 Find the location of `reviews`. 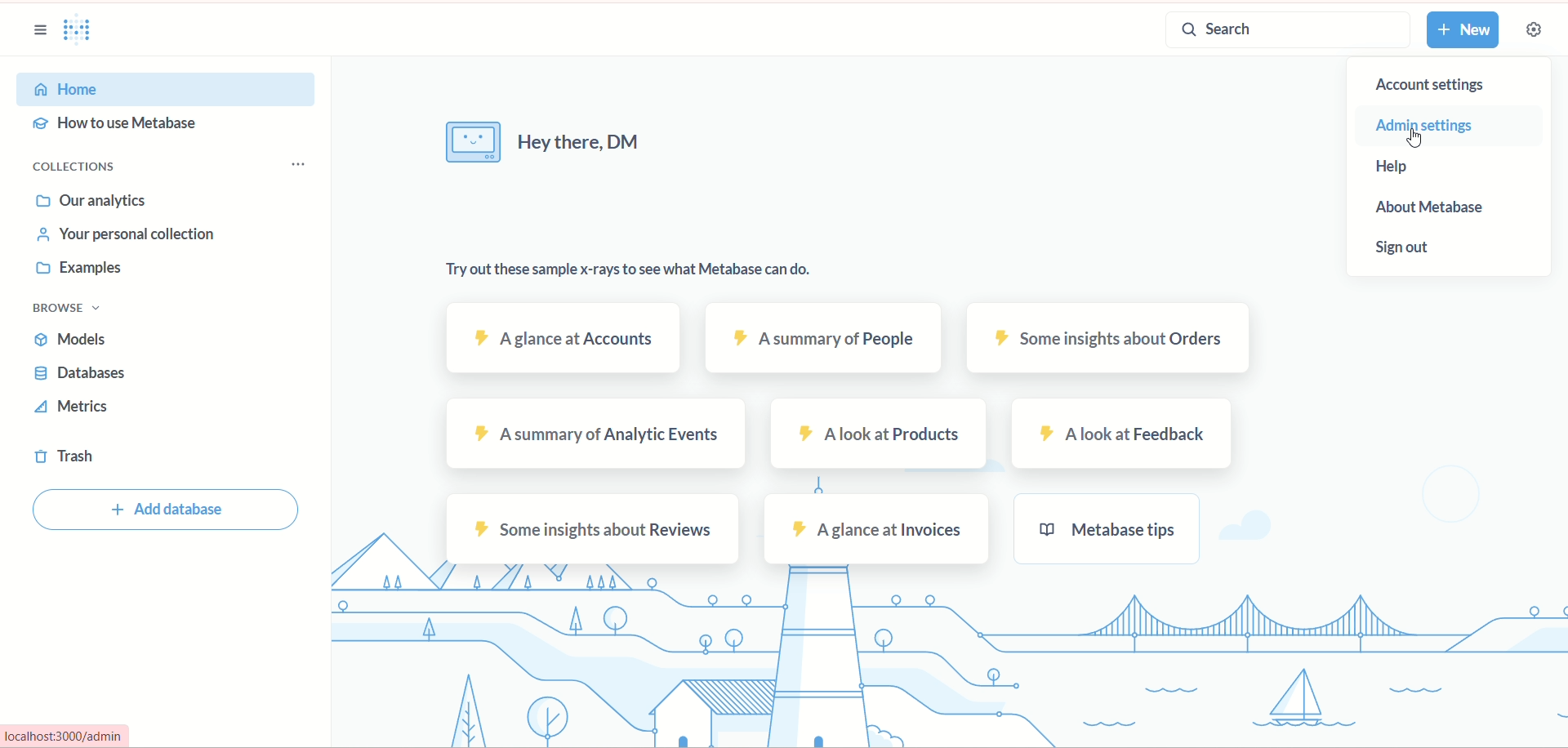

reviews is located at coordinates (592, 530).